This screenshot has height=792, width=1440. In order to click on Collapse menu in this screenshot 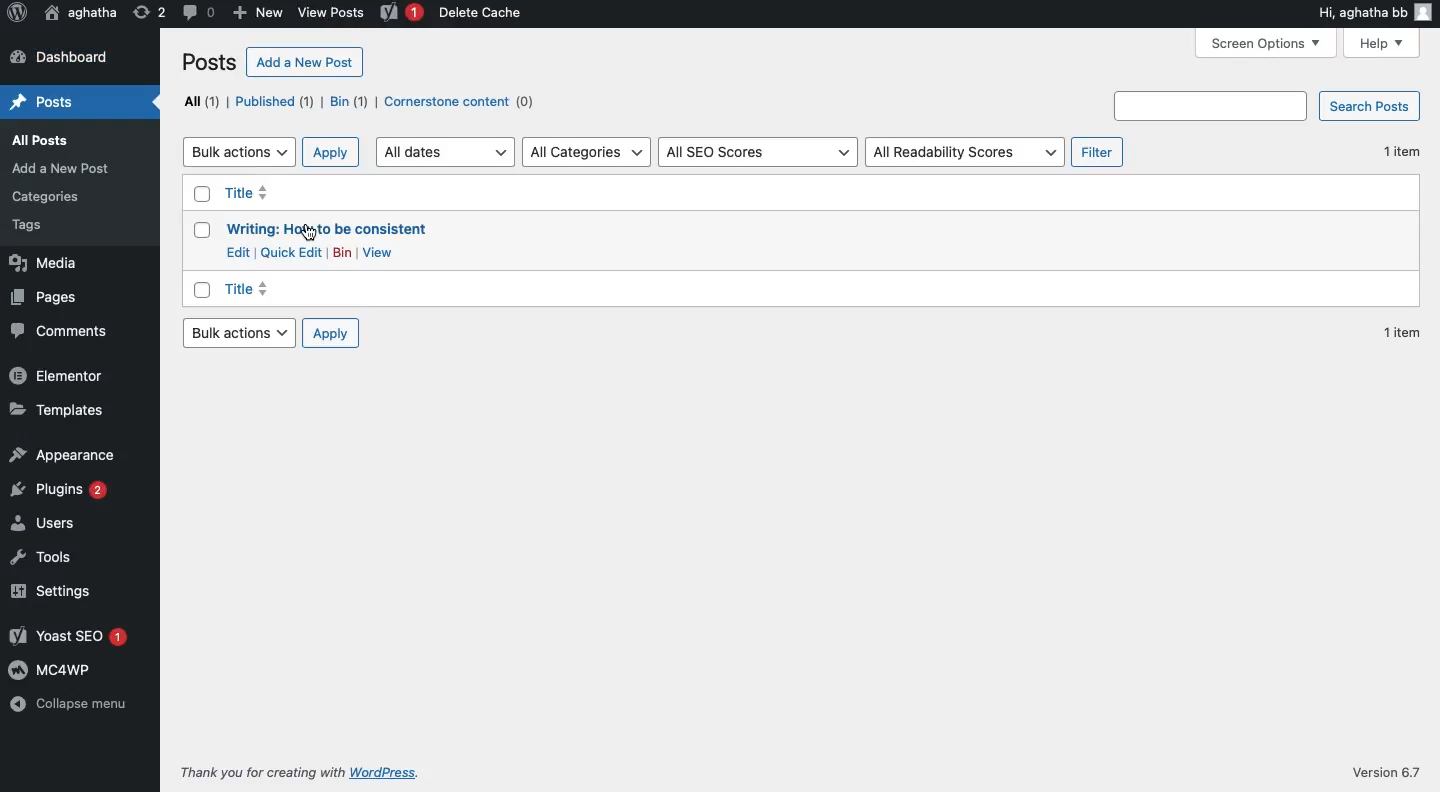, I will do `click(69, 705)`.